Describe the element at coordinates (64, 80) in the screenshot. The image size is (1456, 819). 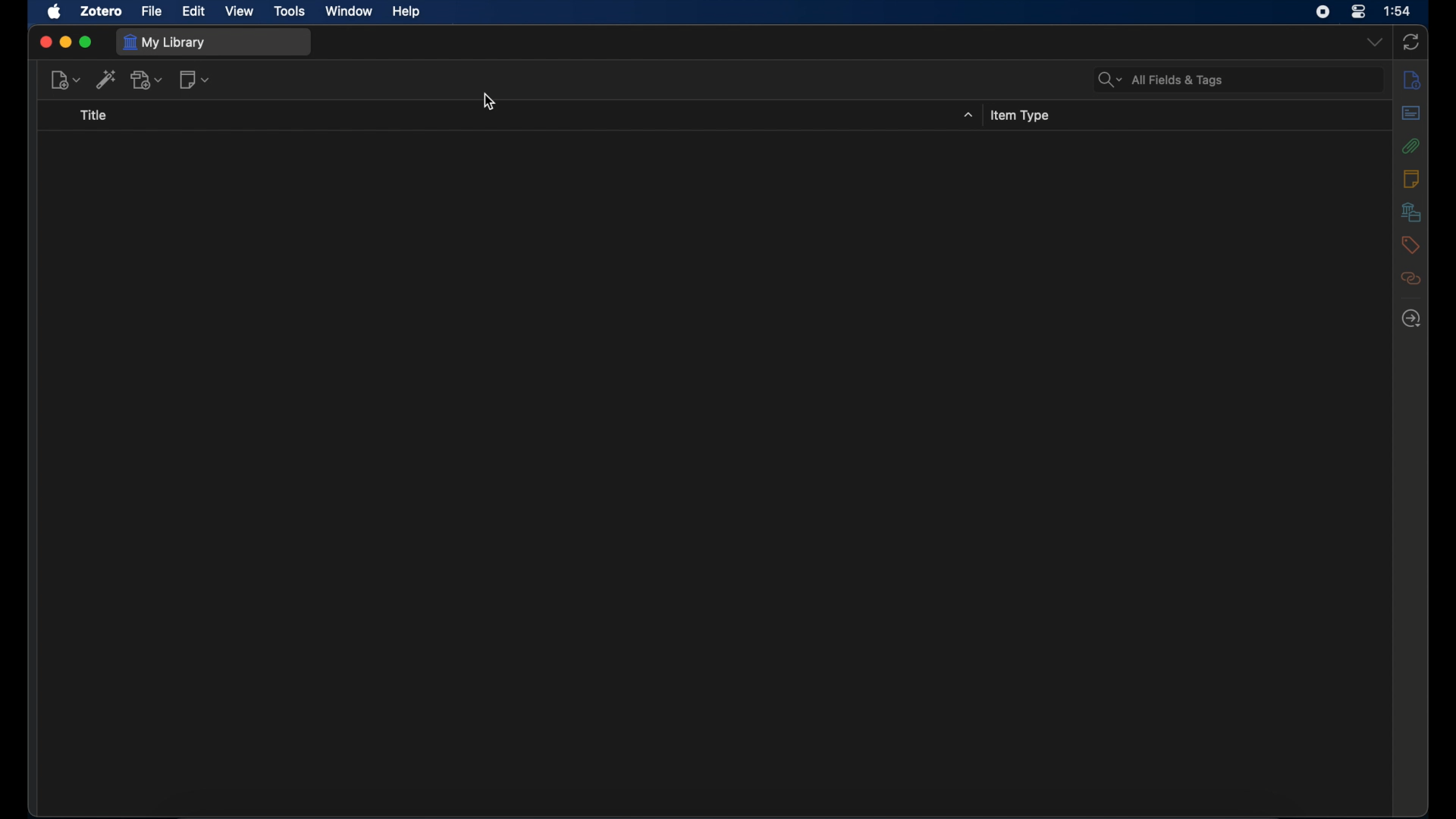
I see `new collections` at that location.